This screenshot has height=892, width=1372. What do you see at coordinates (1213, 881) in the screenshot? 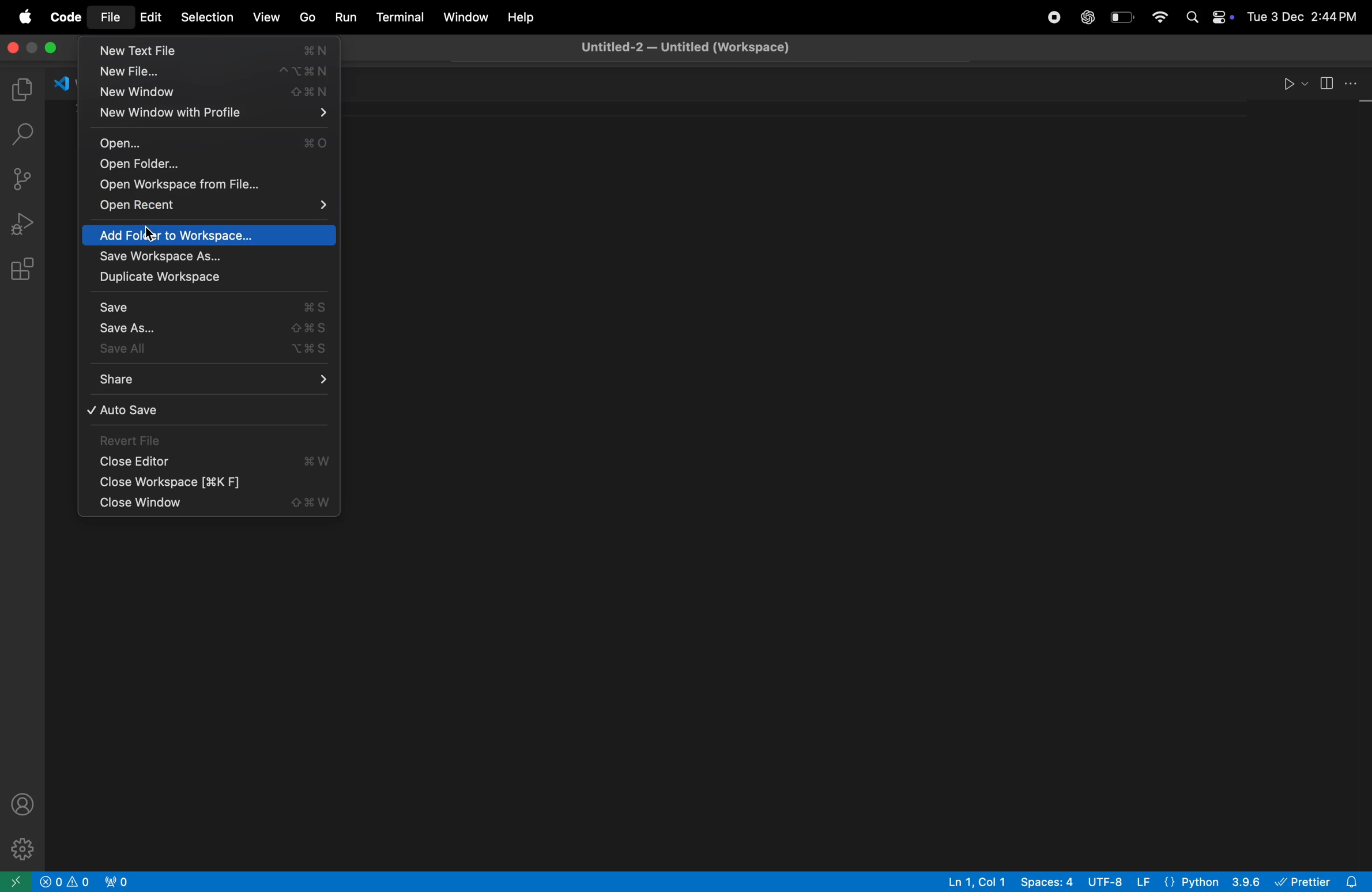
I see `python ` at bounding box center [1213, 881].